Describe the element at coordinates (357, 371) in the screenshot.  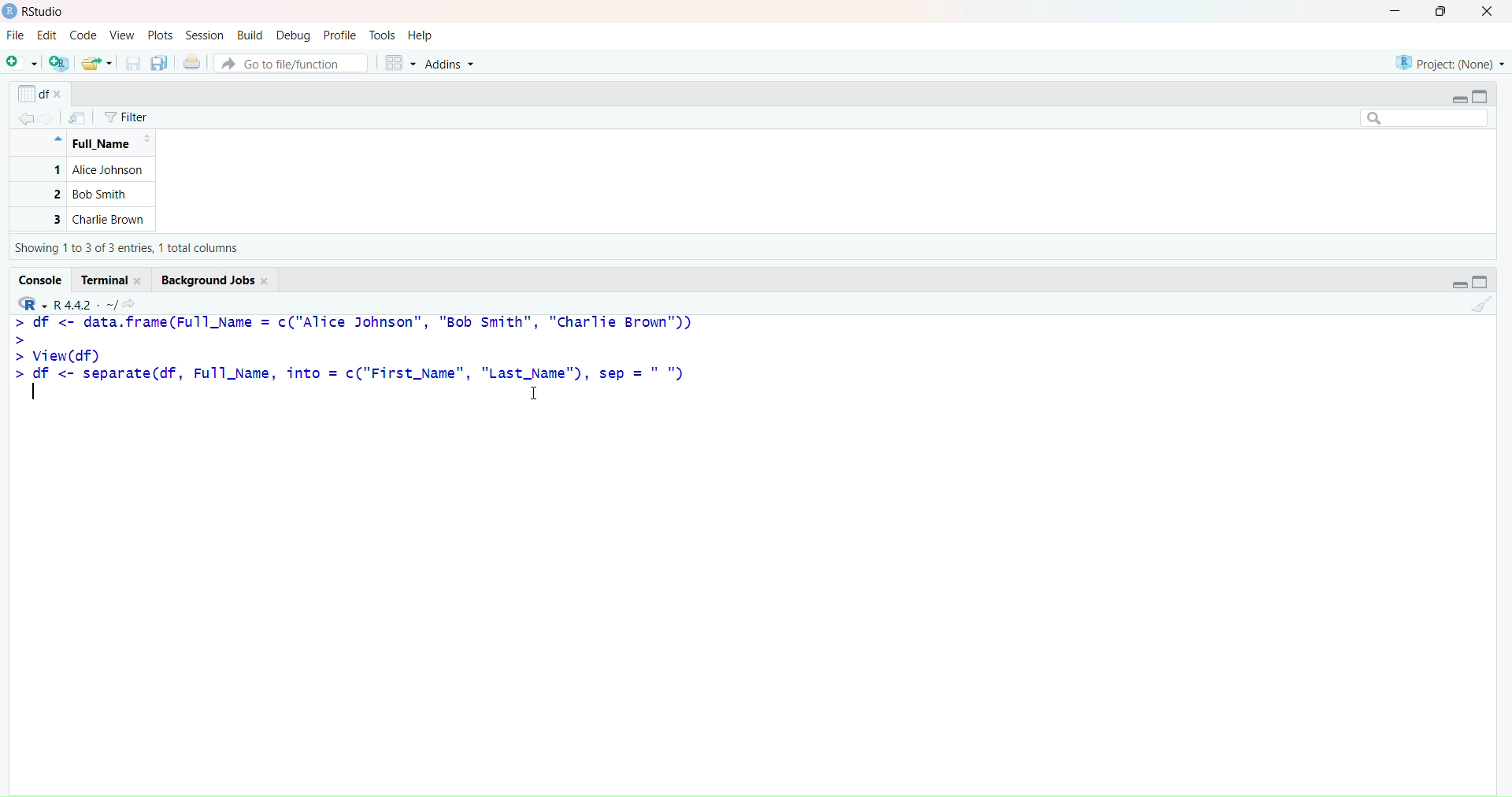
I see `> df <- data.frame(Full_Name = c("Alice Johnson", "Bob smith", "Charlie Brown"))

>

> View(df)

> df <- separate(df, Full_Name, into = c("First_Name", "Last_Name"), sep =" ")
I 1` at that location.